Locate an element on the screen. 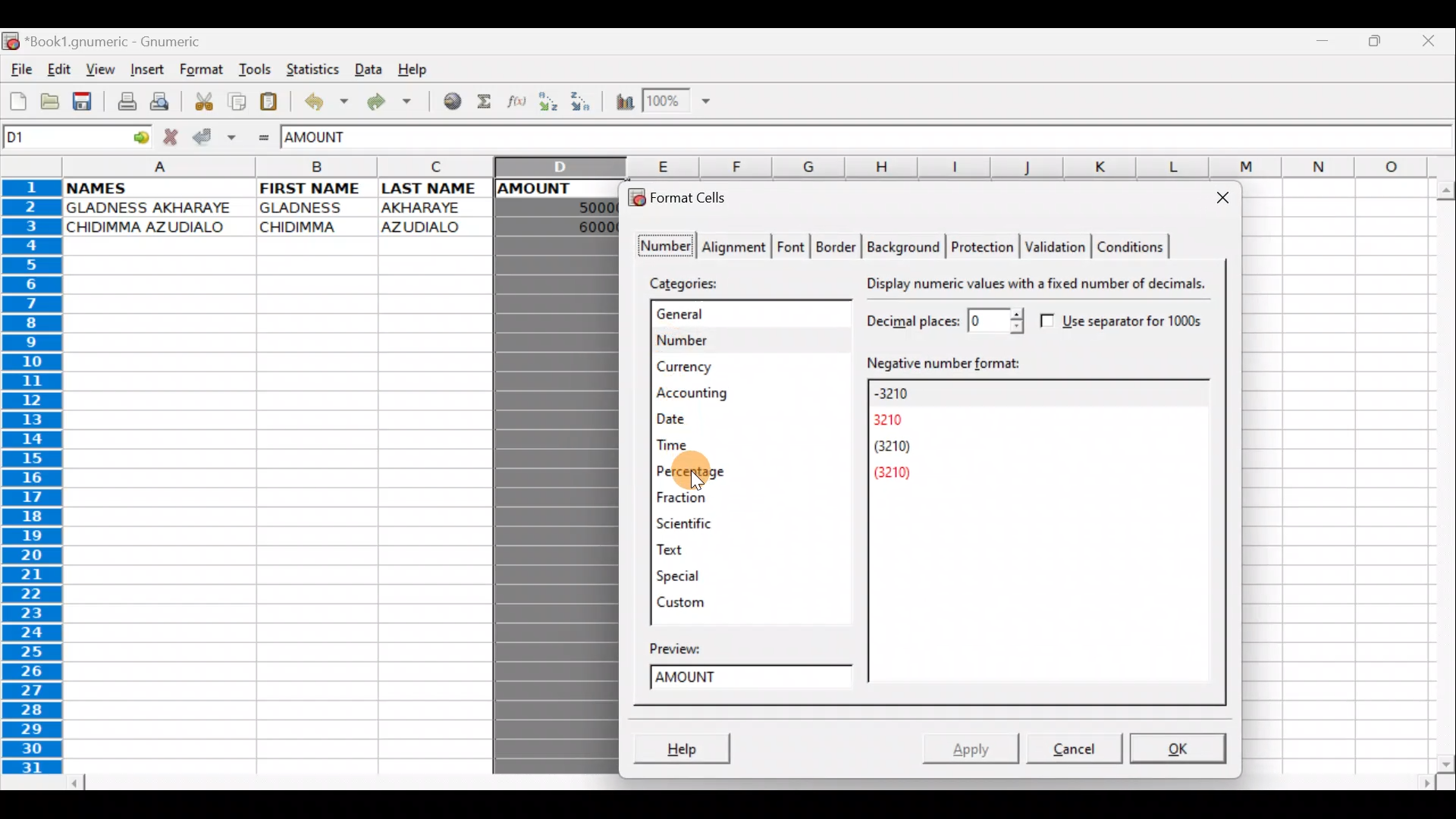 The image size is (1456, 819). Open a file is located at coordinates (46, 104).